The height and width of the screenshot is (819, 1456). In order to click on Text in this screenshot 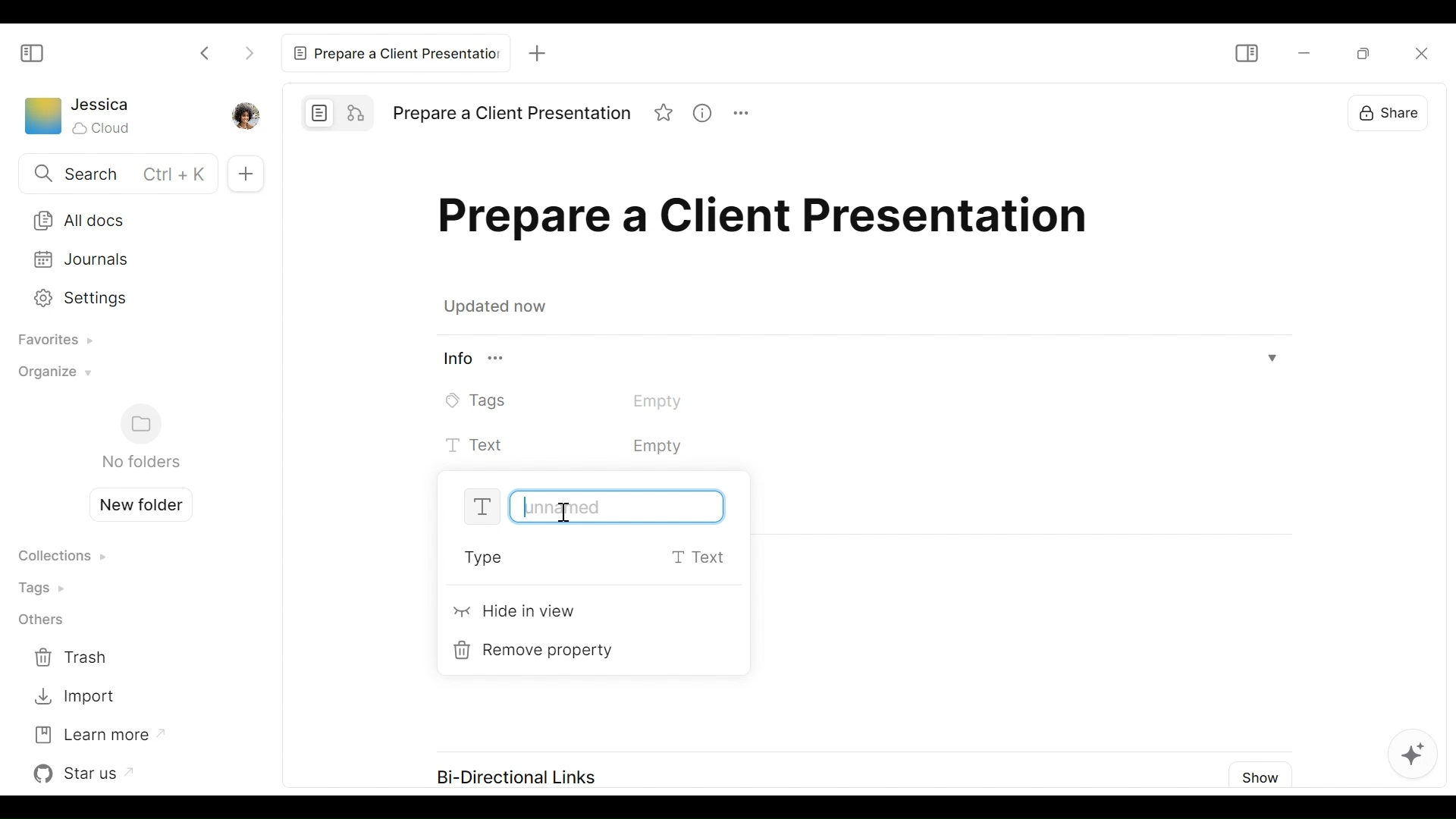, I will do `click(598, 507)`.